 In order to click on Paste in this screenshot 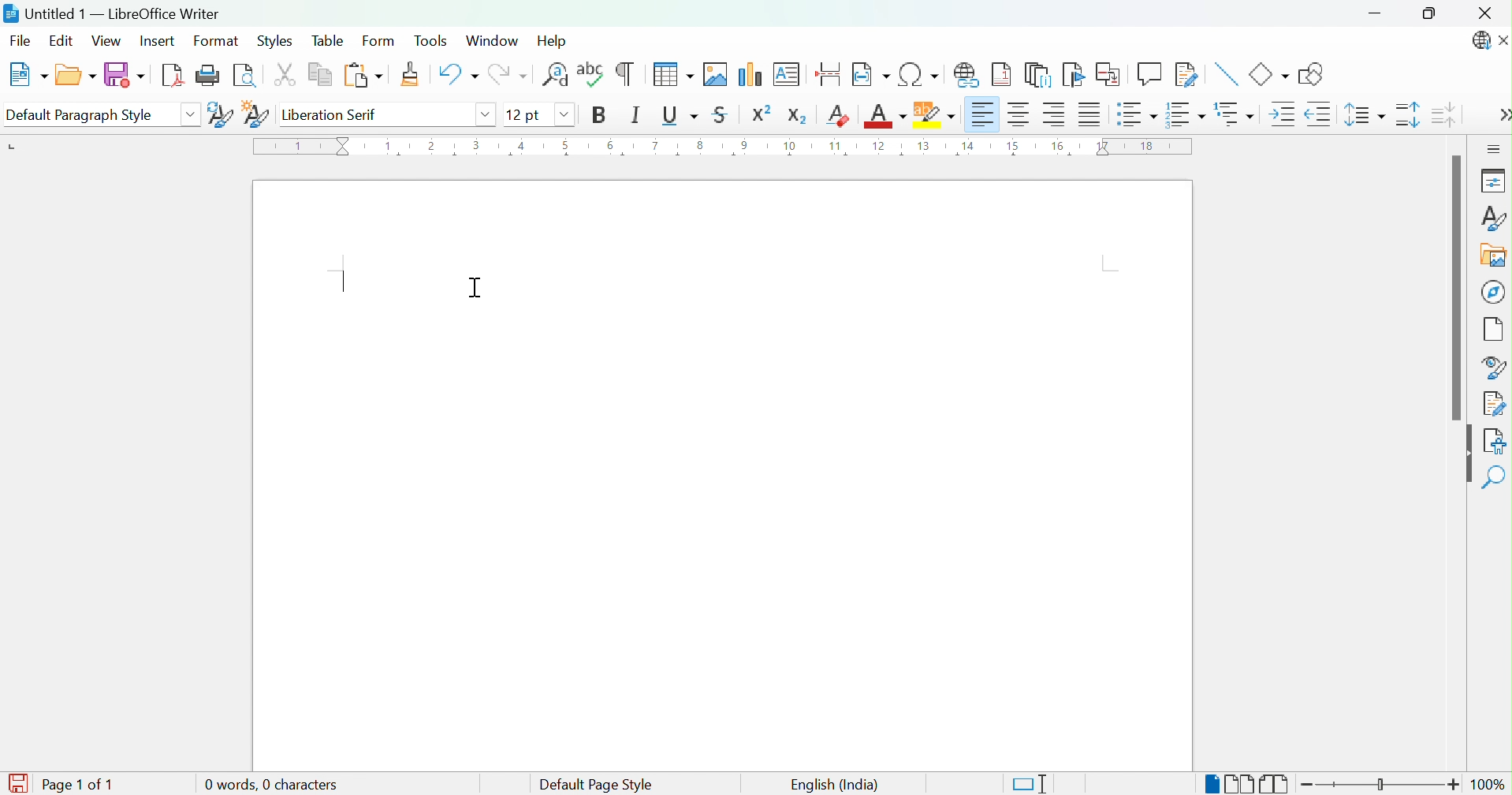, I will do `click(361, 76)`.